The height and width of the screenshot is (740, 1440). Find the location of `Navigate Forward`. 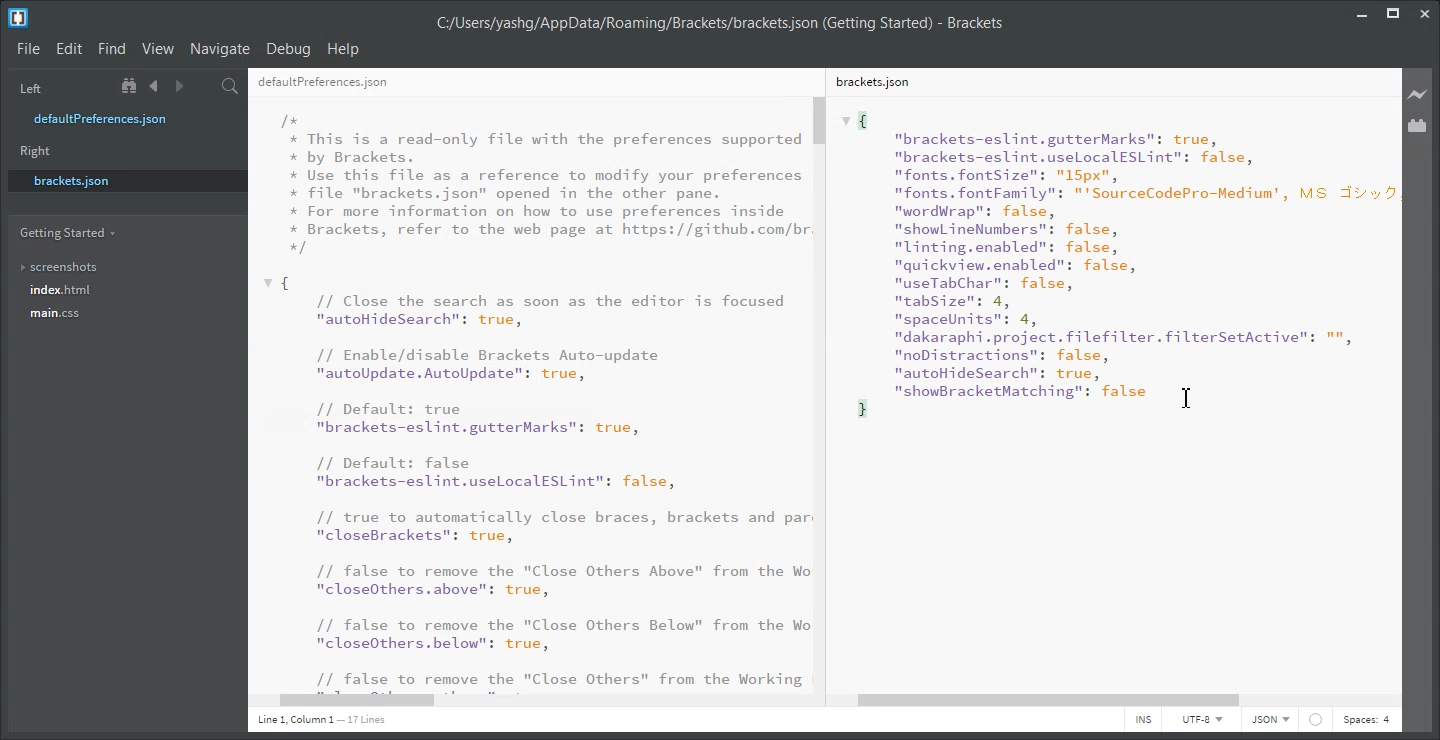

Navigate Forward is located at coordinates (179, 86).